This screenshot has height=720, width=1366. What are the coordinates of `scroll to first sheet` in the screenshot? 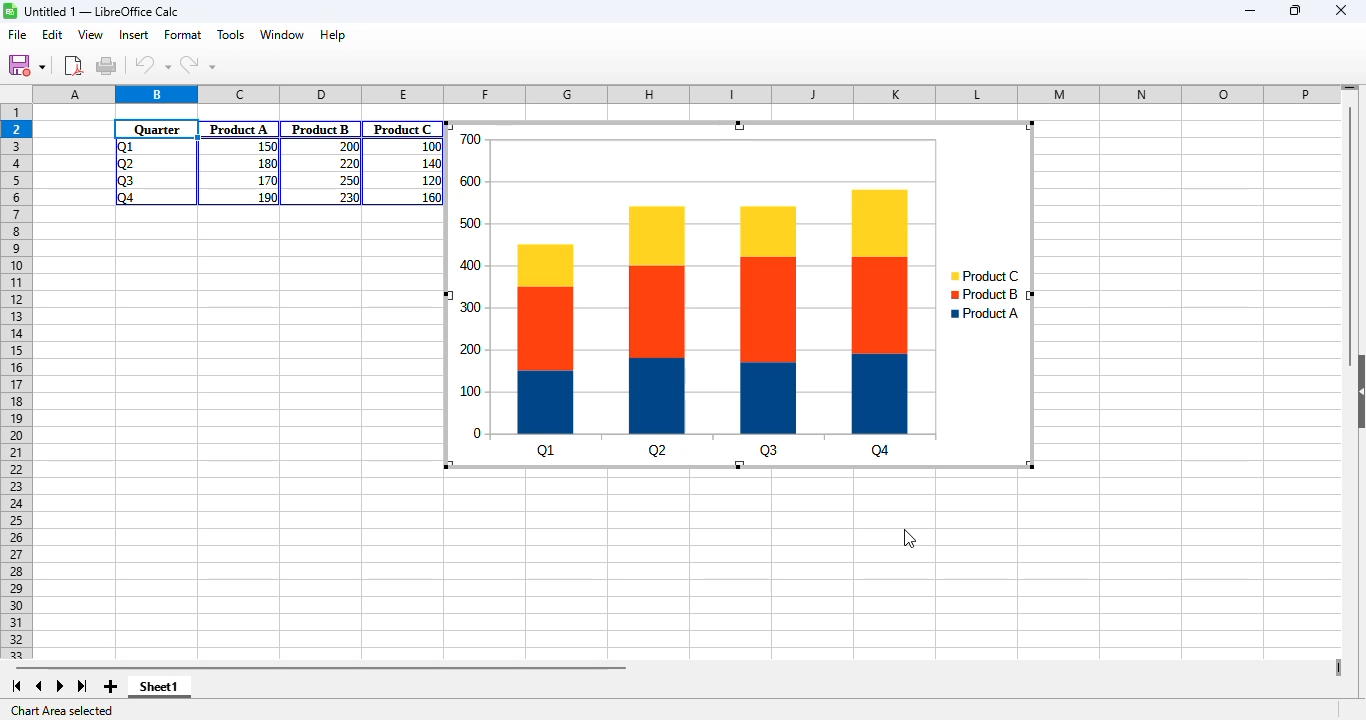 It's located at (16, 686).